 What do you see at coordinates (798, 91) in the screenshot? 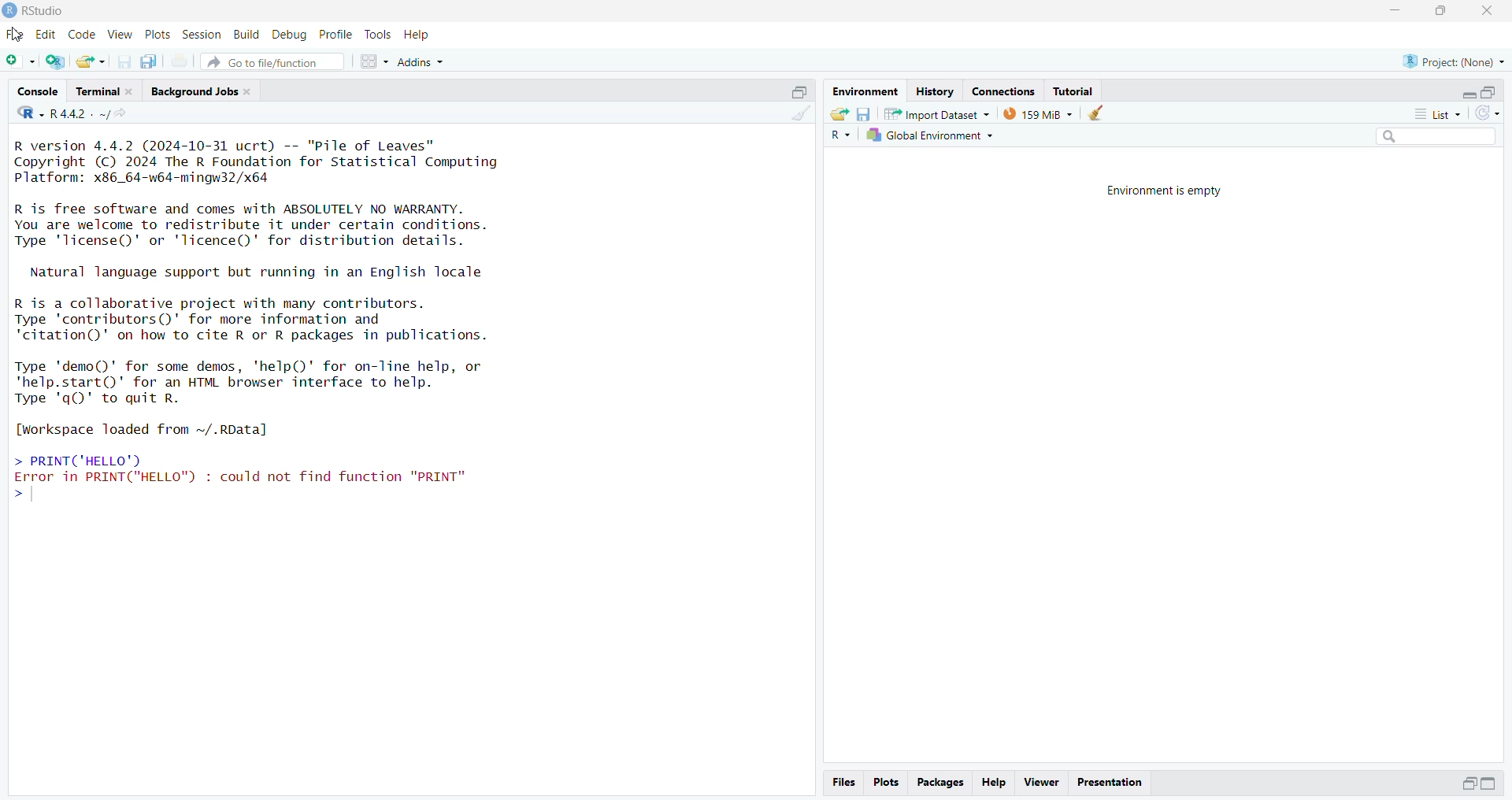
I see `collapse` at bounding box center [798, 91].